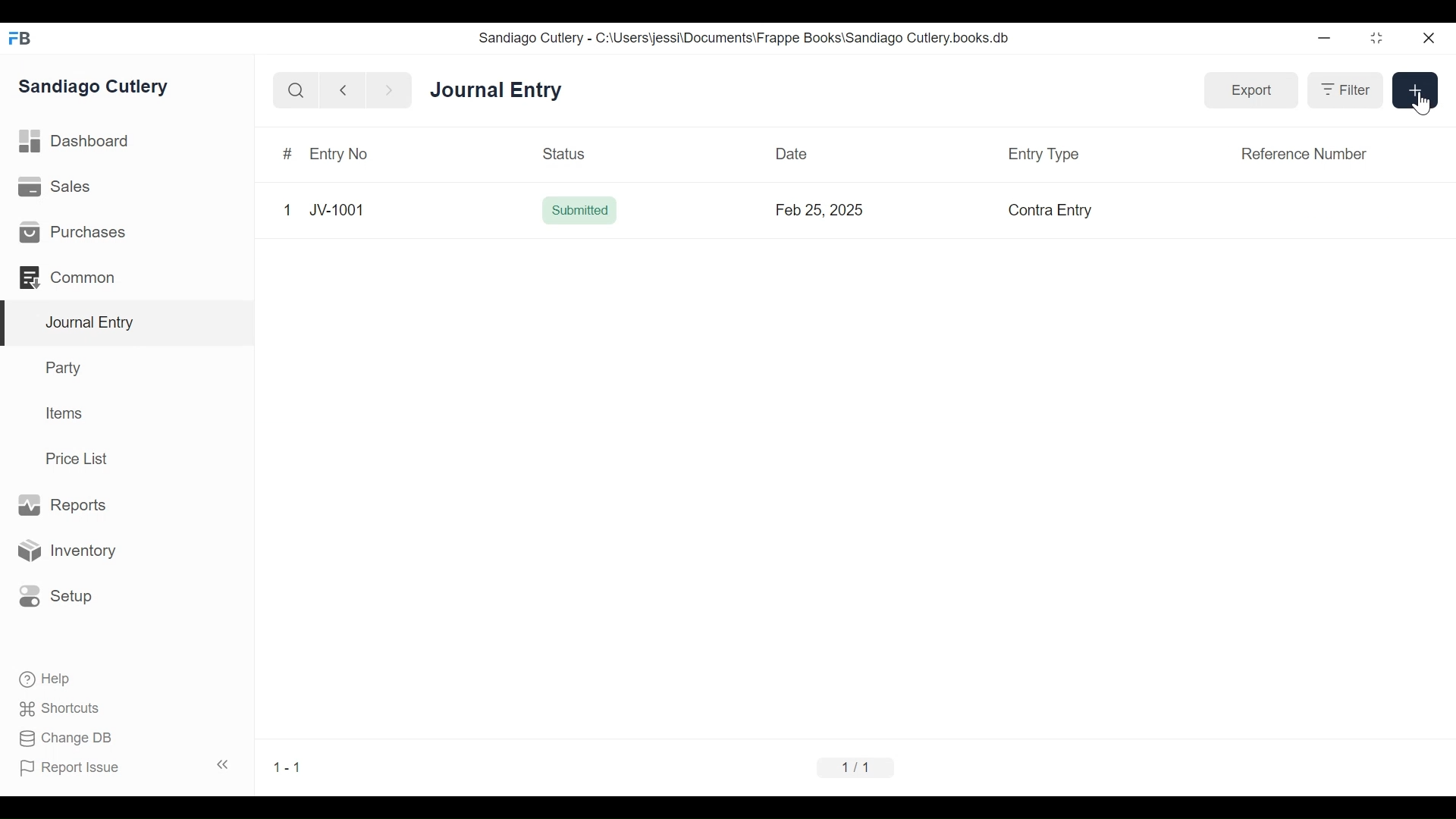 This screenshot has height=819, width=1456. What do you see at coordinates (792, 153) in the screenshot?
I see `Date` at bounding box center [792, 153].